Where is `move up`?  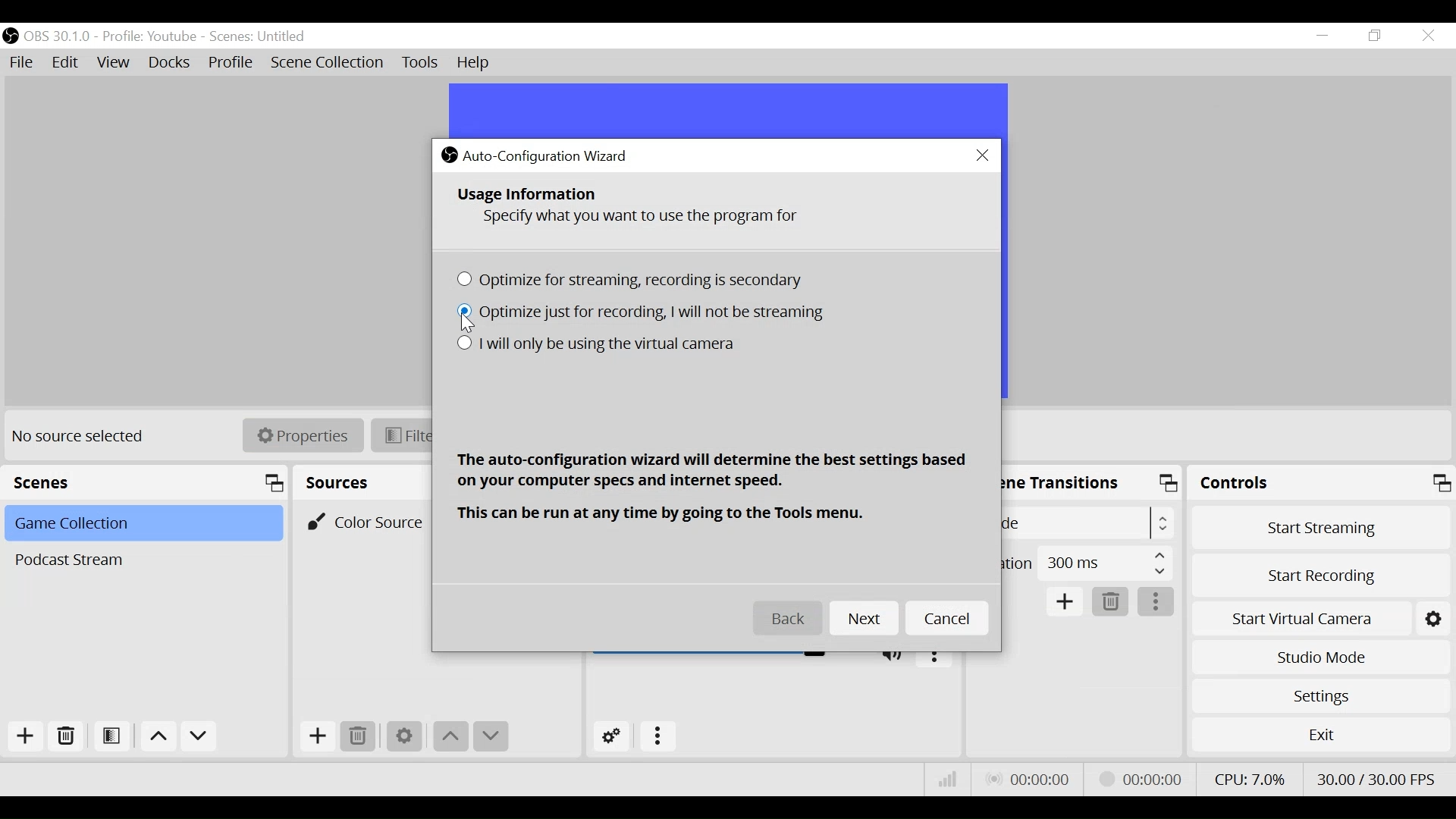
move up is located at coordinates (452, 738).